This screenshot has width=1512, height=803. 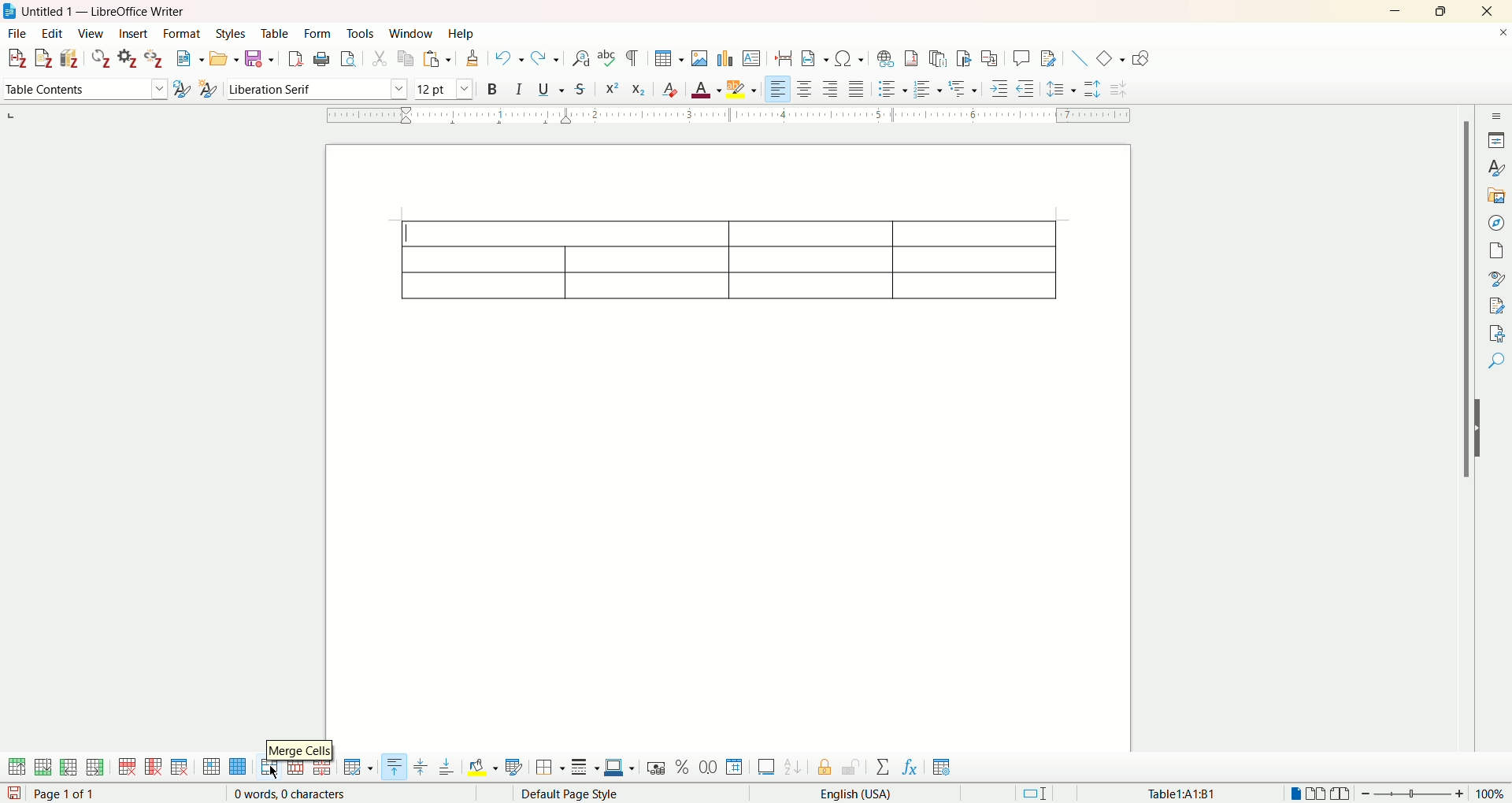 I want to click on multiple page view, so click(x=1317, y=795).